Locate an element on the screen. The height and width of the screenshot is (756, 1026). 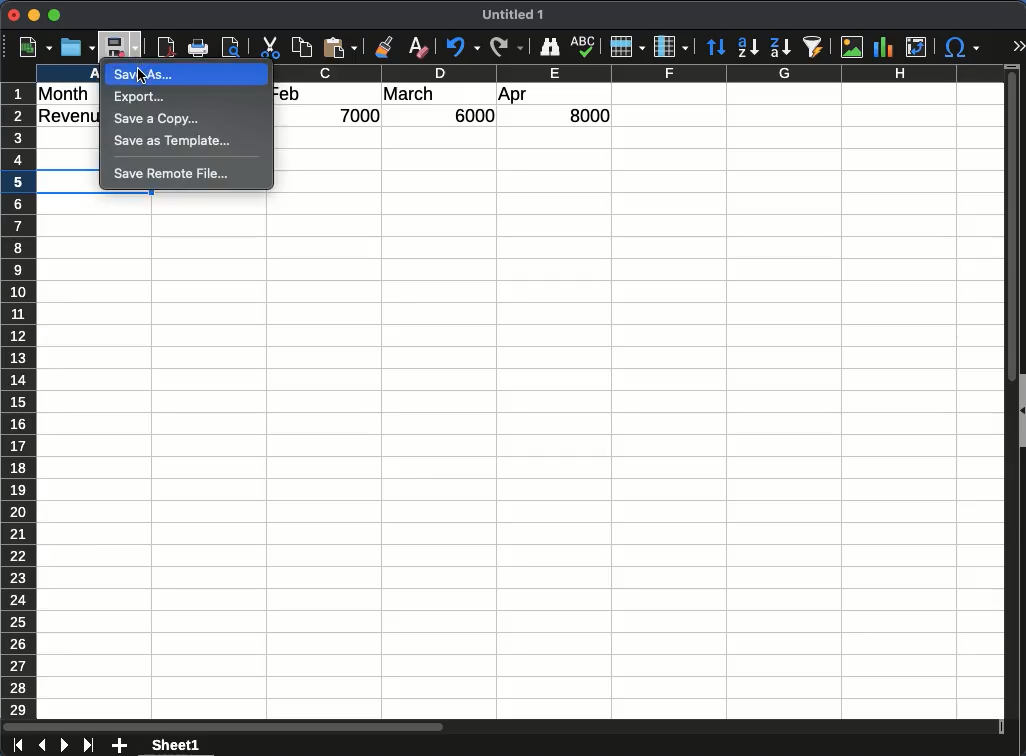
save a copy is located at coordinates (163, 119).